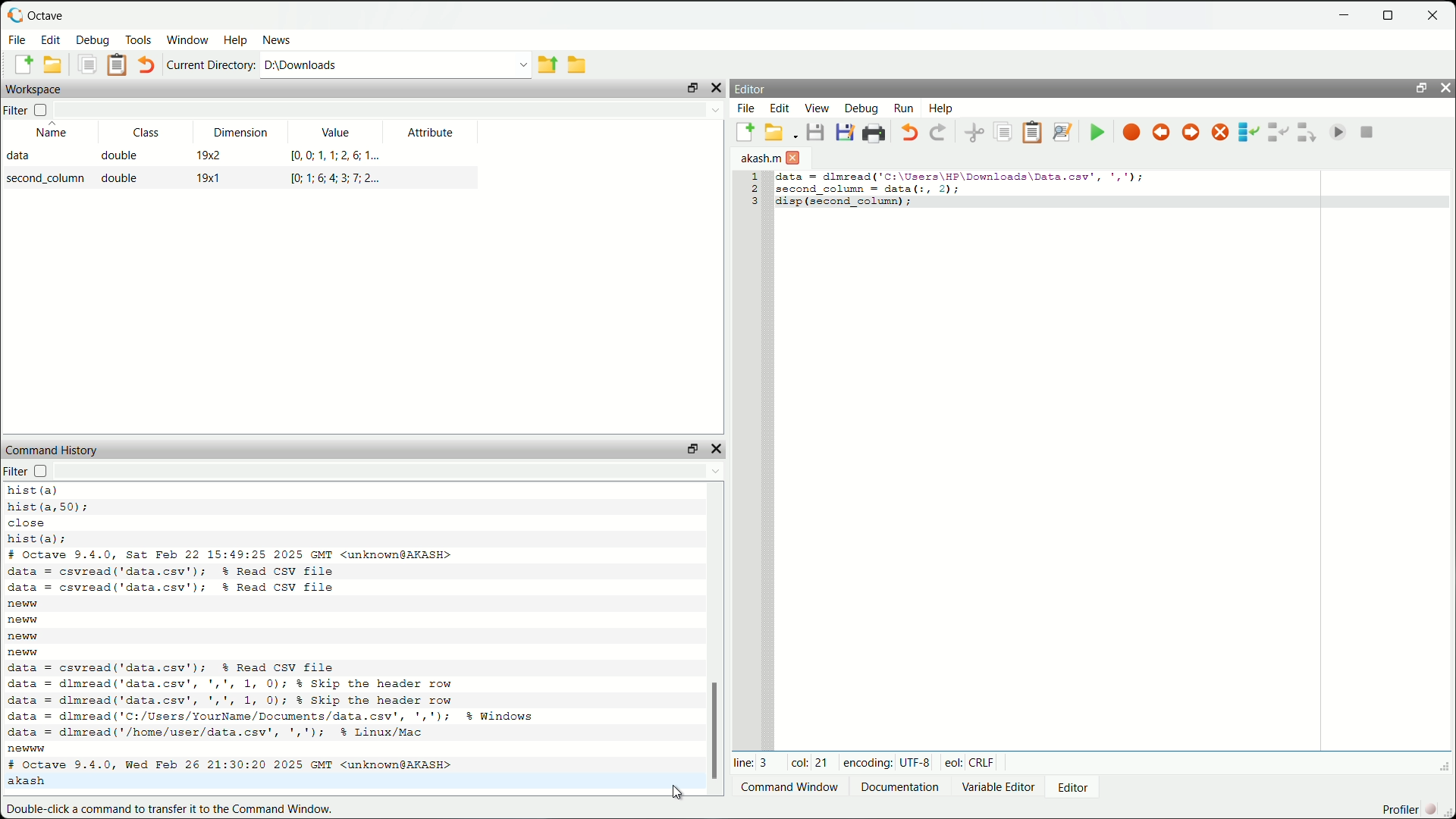  What do you see at coordinates (748, 761) in the screenshot?
I see `line: 3` at bounding box center [748, 761].